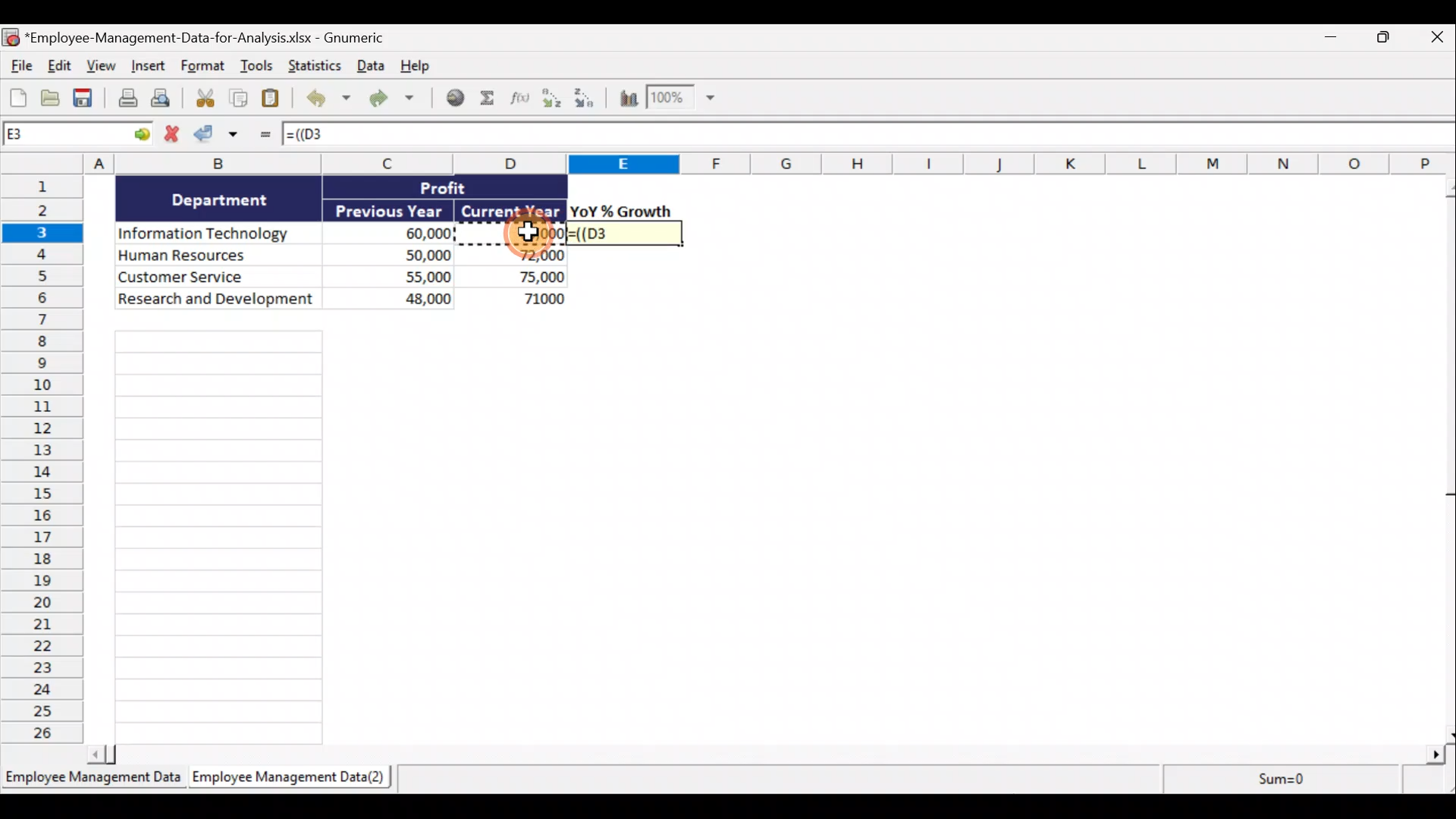  What do you see at coordinates (1389, 37) in the screenshot?
I see `Maximise` at bounding box center [1389, 37].